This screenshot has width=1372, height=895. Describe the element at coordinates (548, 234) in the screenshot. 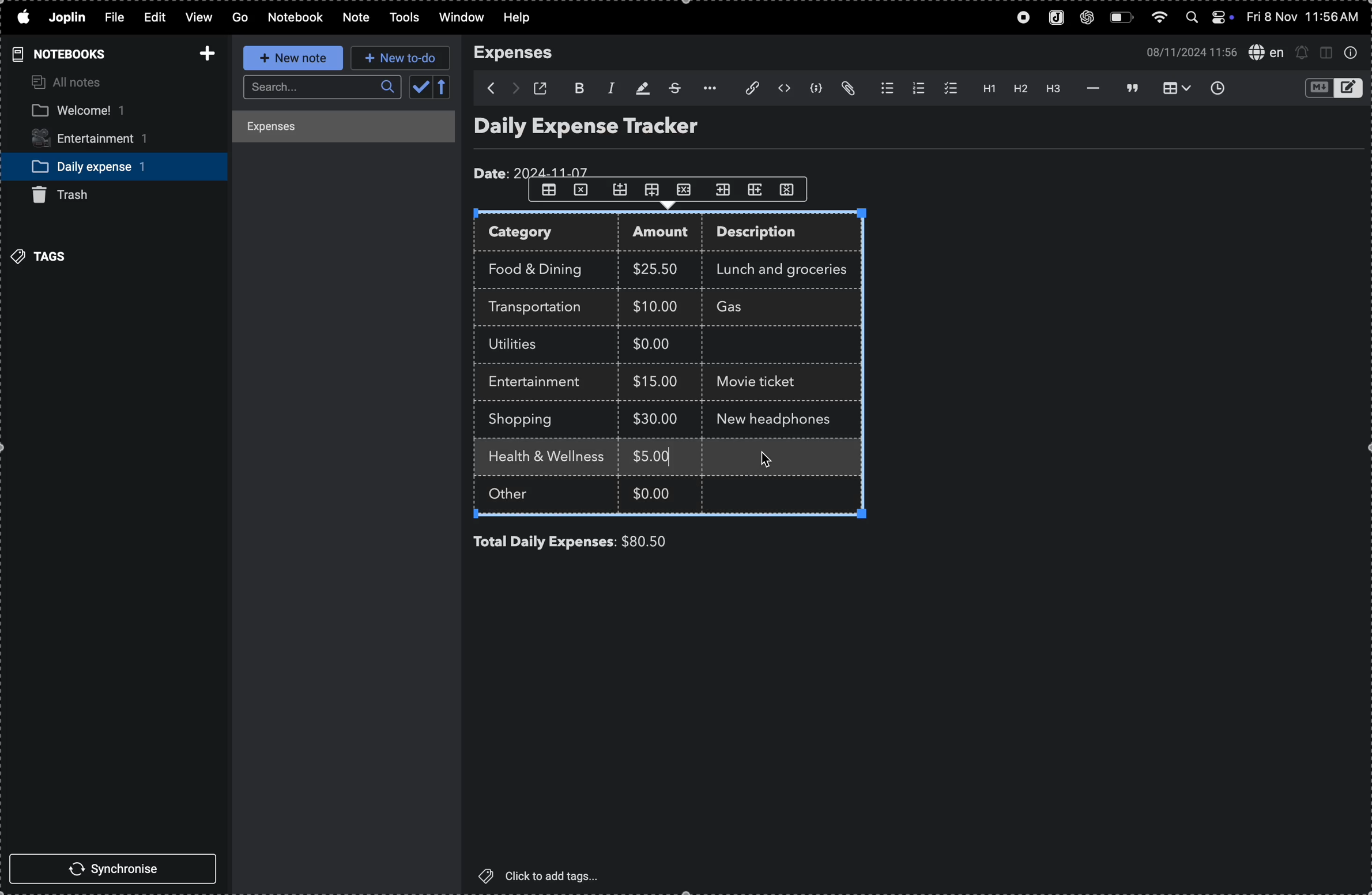

I see `category` at that location.